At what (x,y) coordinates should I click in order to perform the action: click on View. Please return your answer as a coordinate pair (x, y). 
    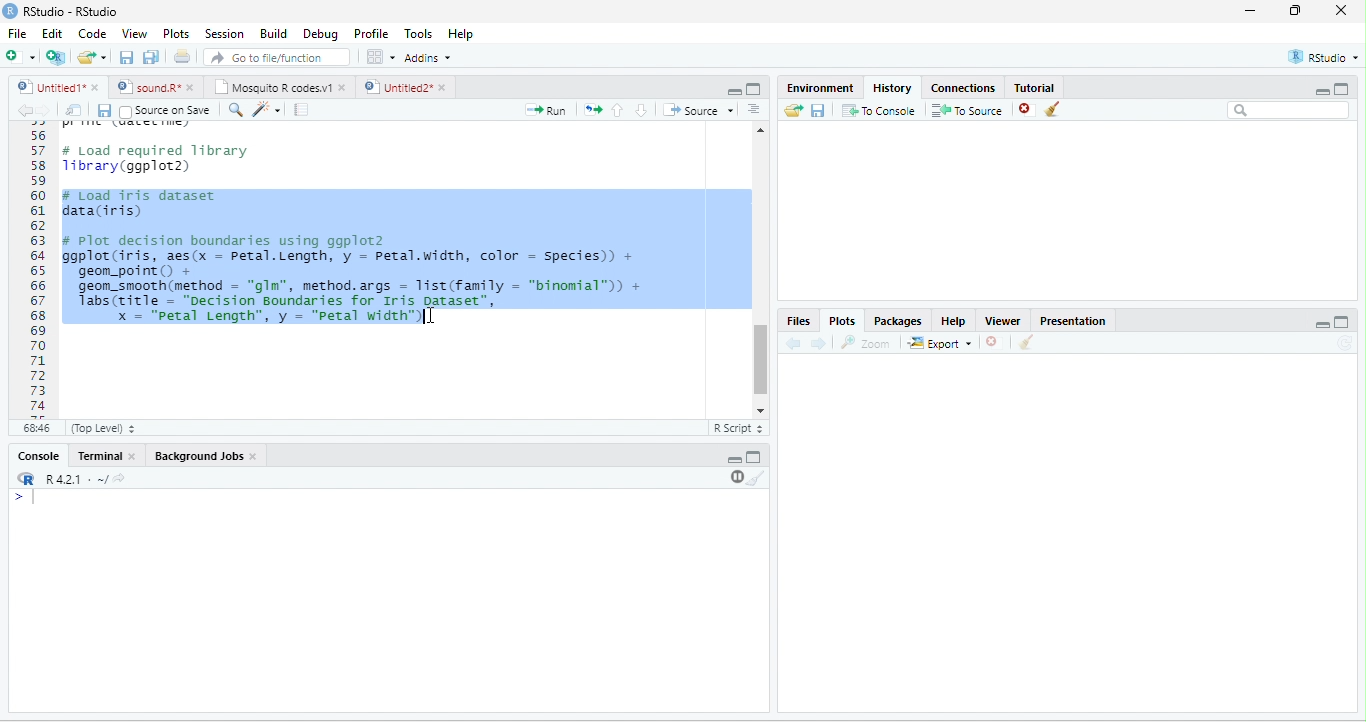
    Looking at the image, I should click on (134, 34).